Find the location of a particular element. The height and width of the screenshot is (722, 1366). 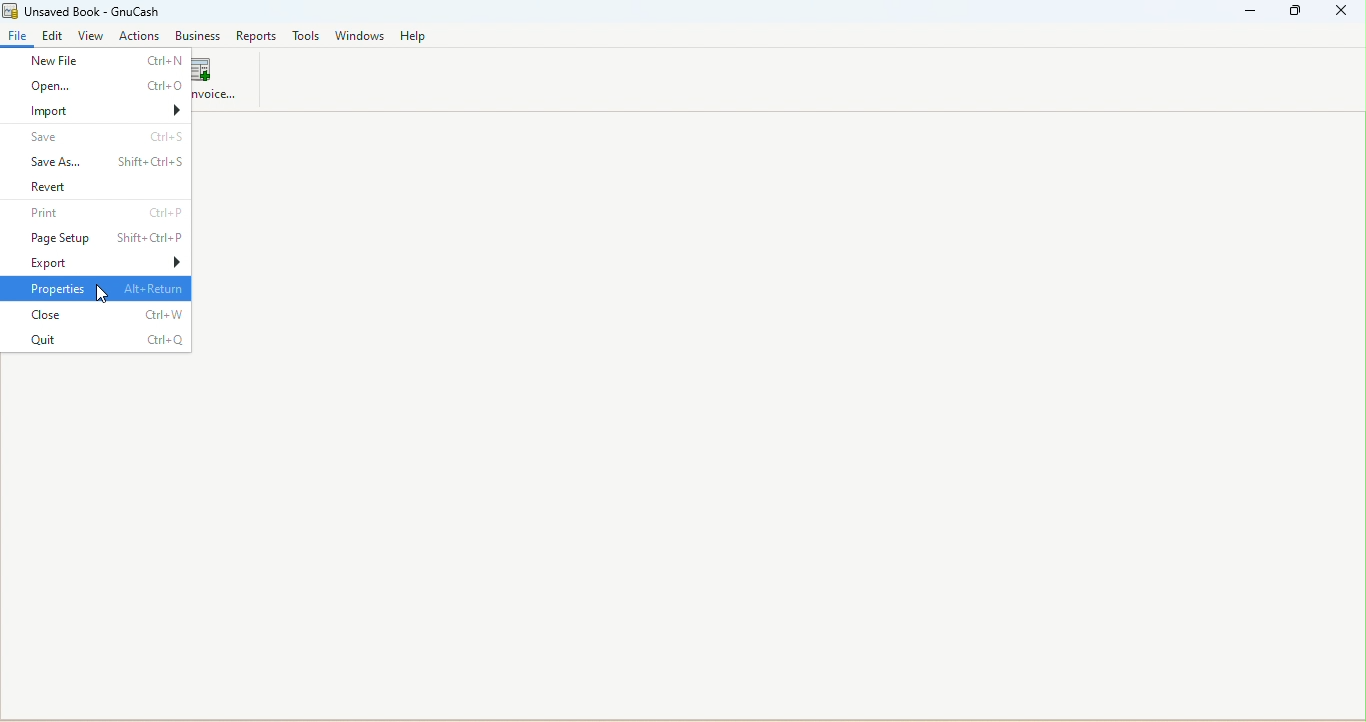

Windows is located at coordinates (361, 37).